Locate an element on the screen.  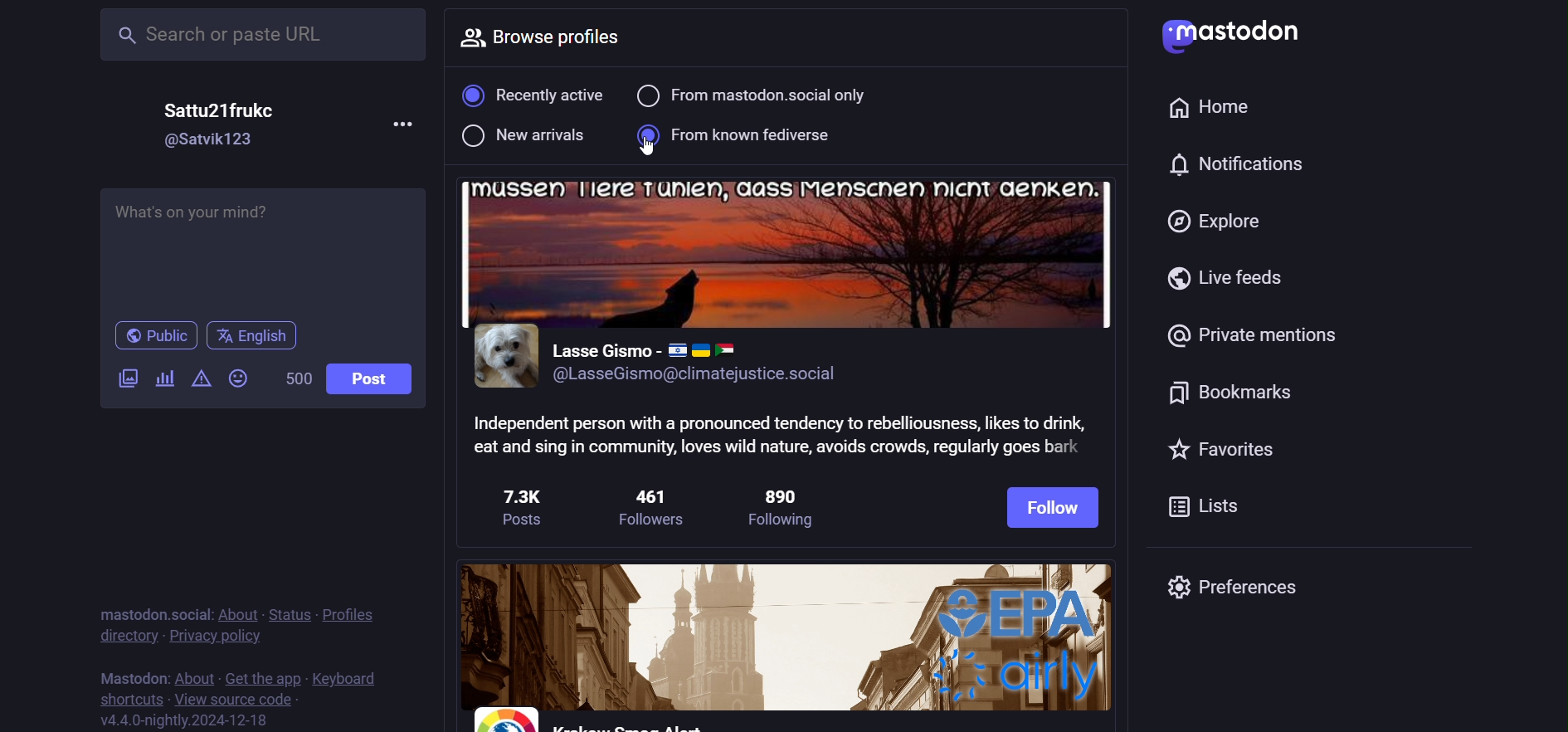
browse profile is located at coordinates (545, 37).